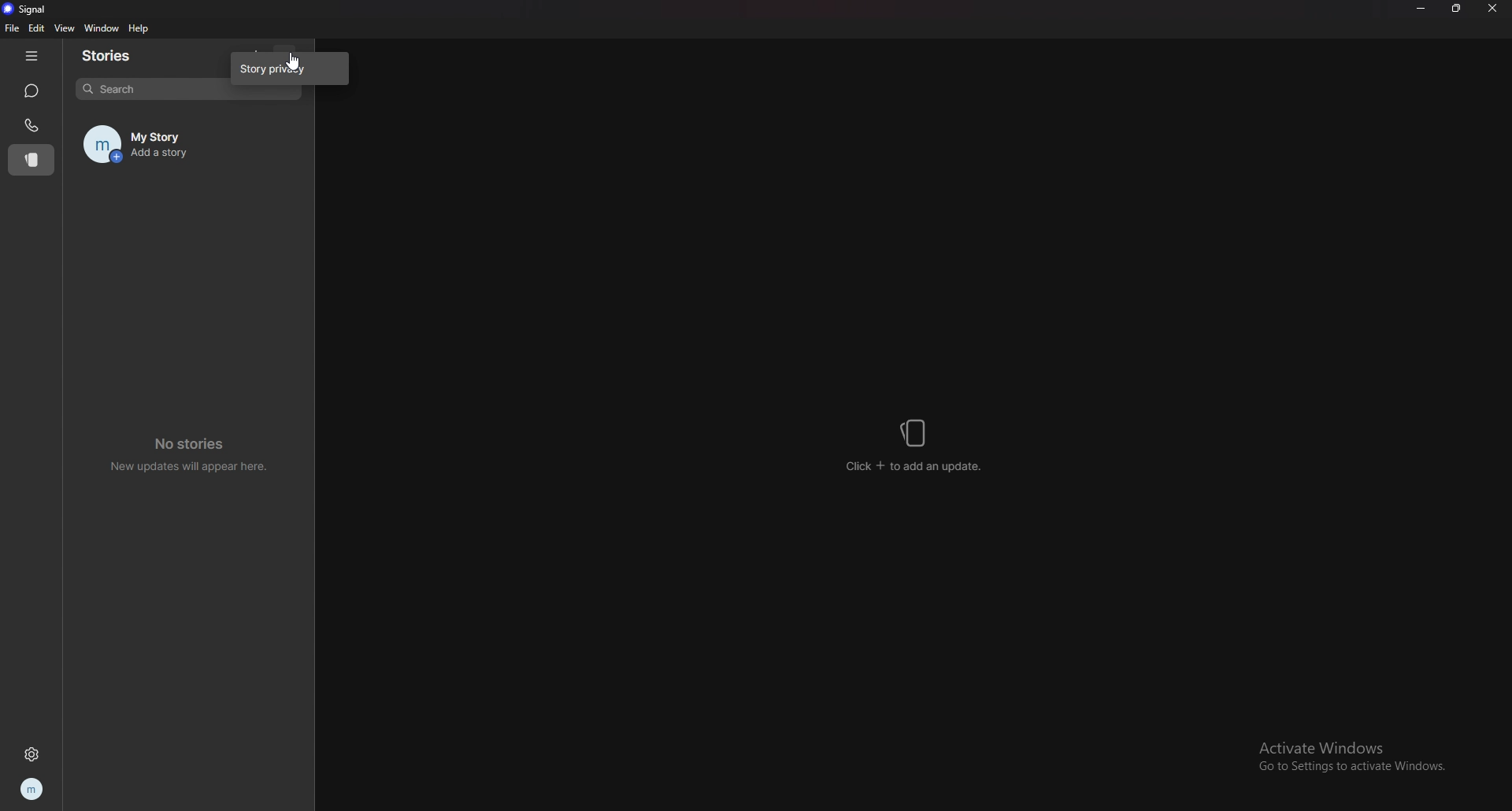  Describe the element at coordinates (30, 756) in the screenshot. I see `settings` at that location.